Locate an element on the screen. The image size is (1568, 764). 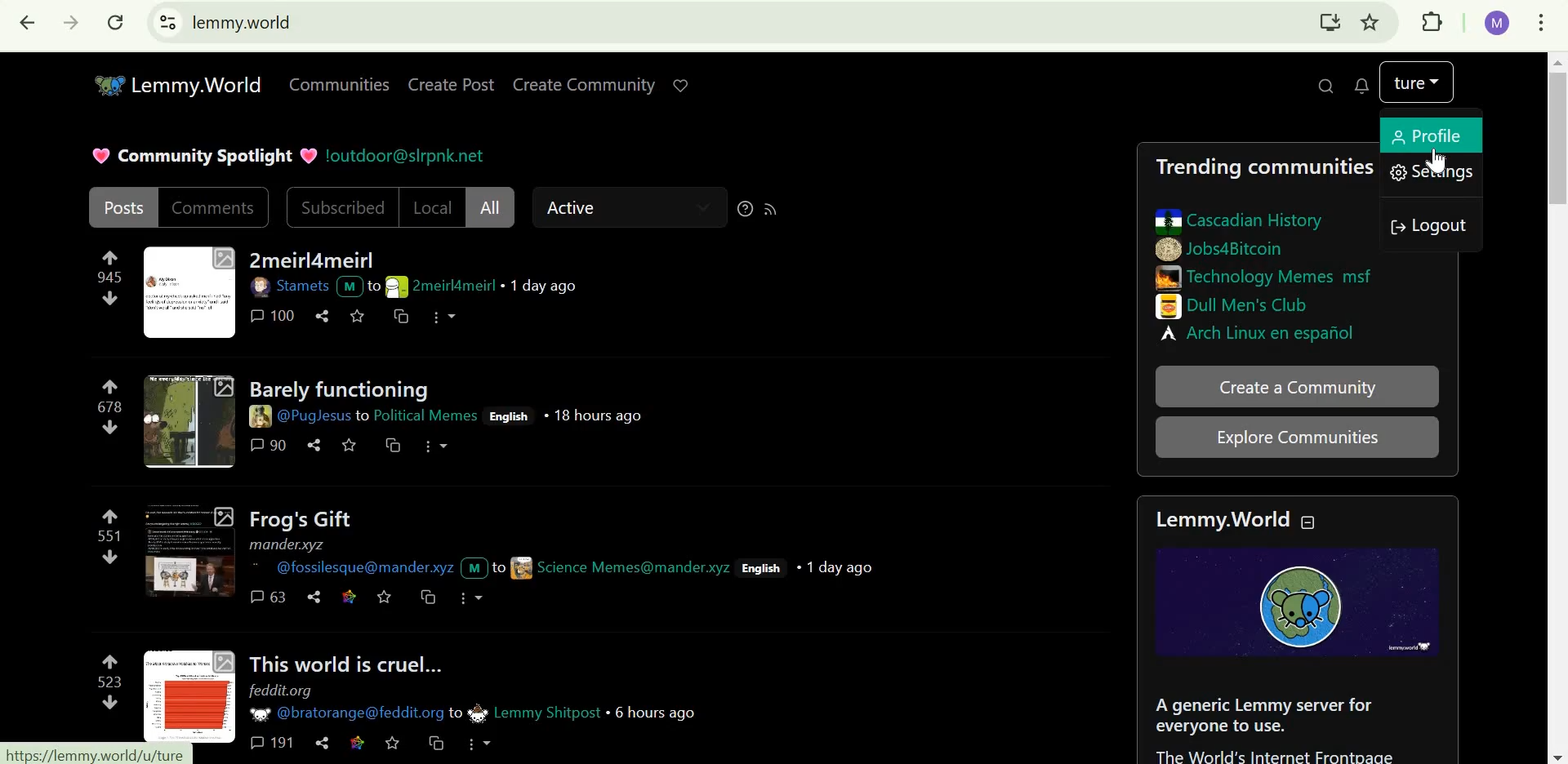
thumbnail-4 is located at coordinates (189, 696).